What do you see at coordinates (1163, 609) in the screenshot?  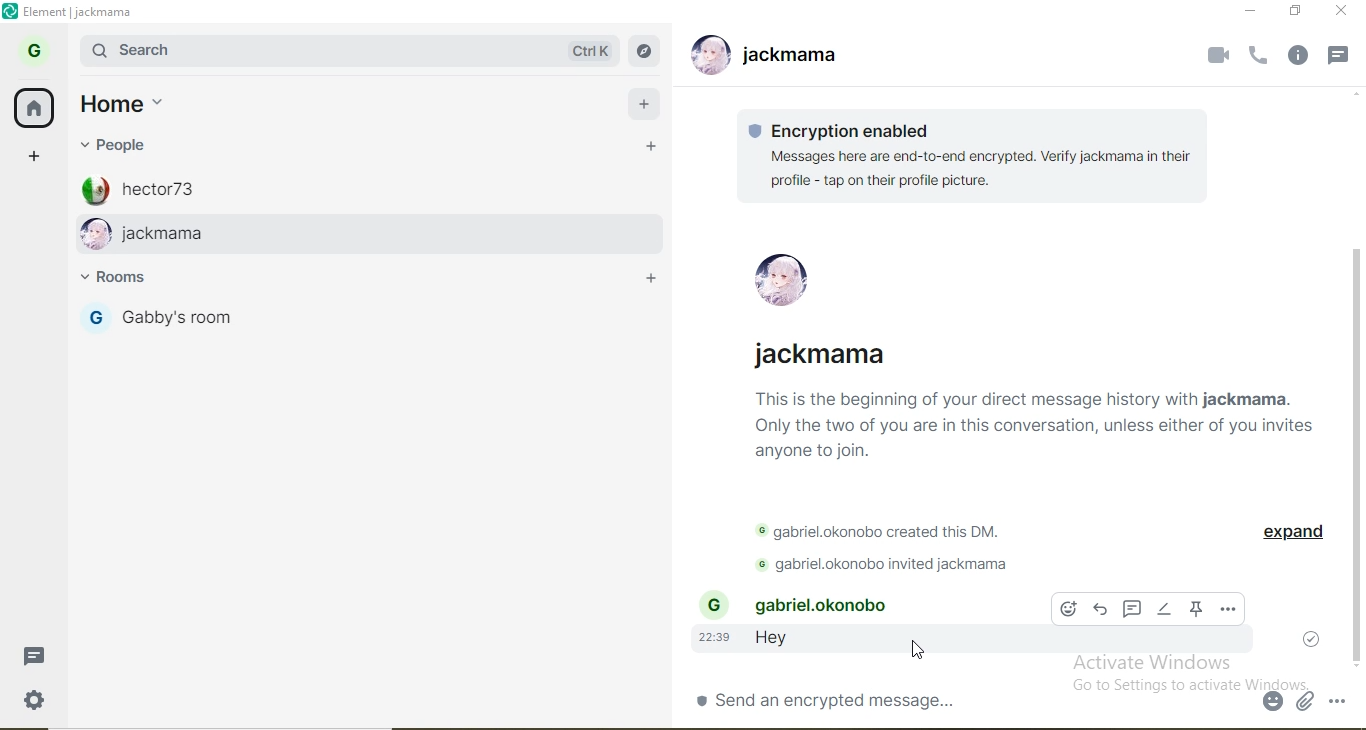 I see `edit` at bounding box center [1163, 609].